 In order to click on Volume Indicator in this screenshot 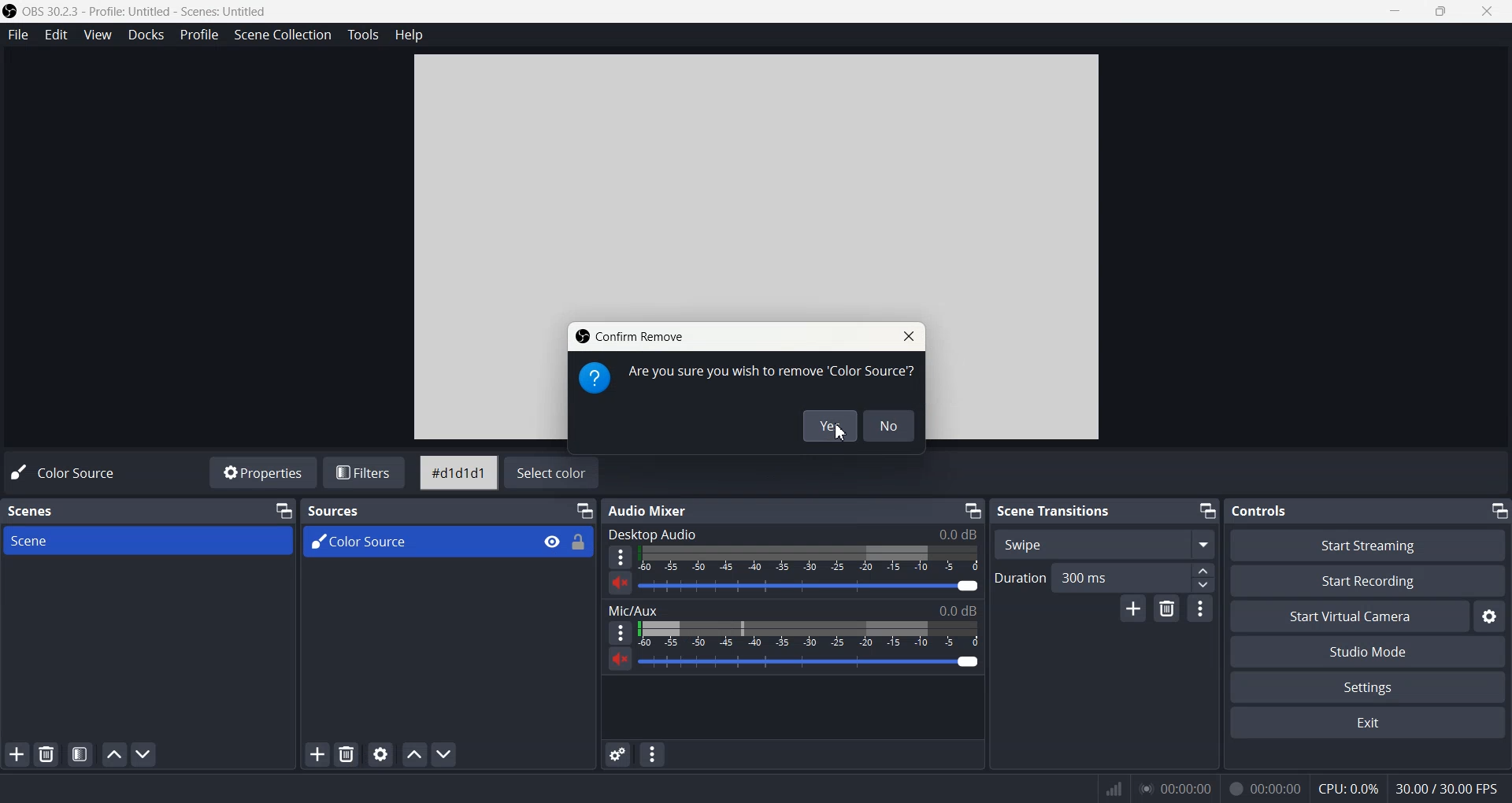, I will do `click(808, 557)`.